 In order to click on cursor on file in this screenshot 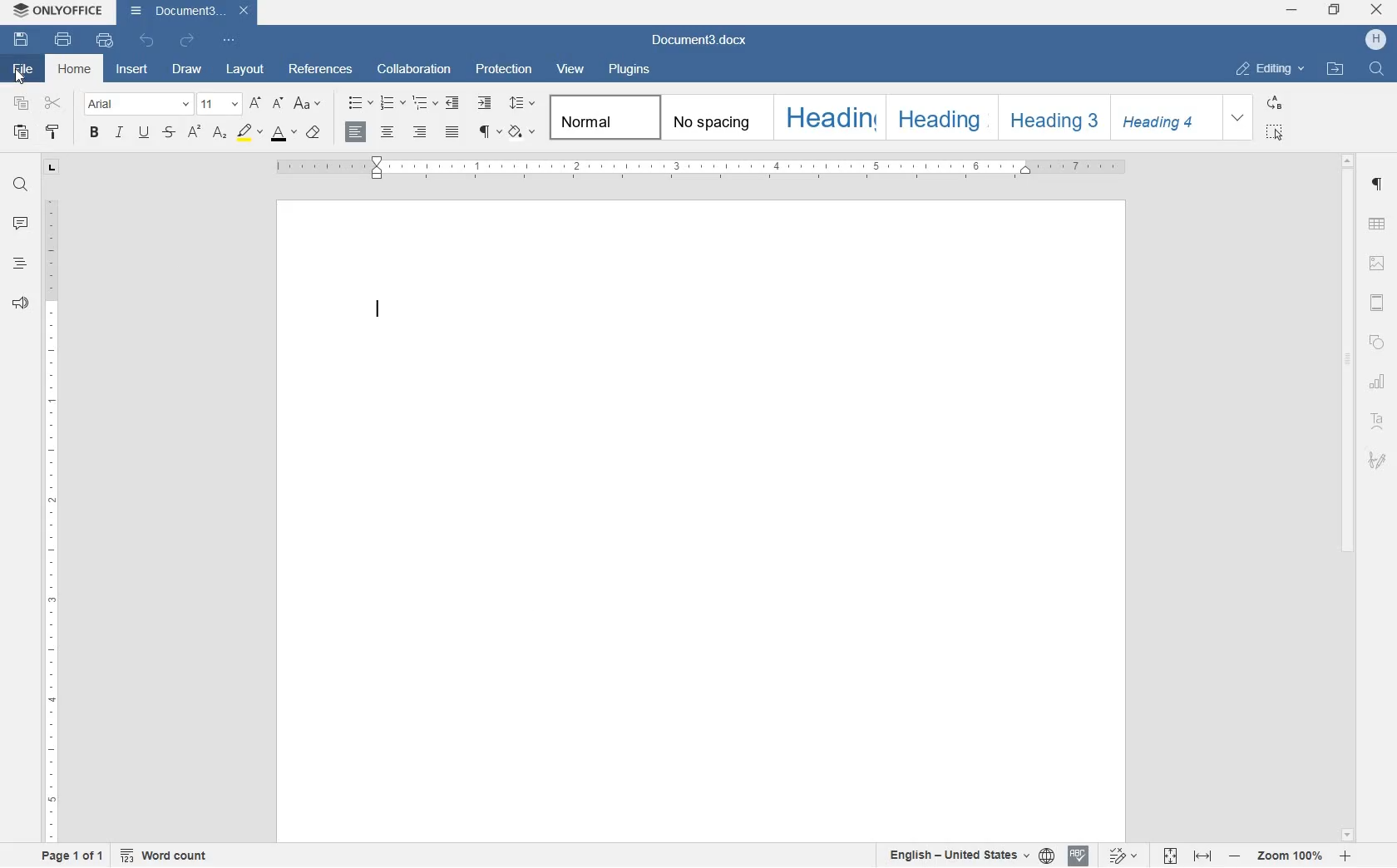, I will do `click(22, 78)`.